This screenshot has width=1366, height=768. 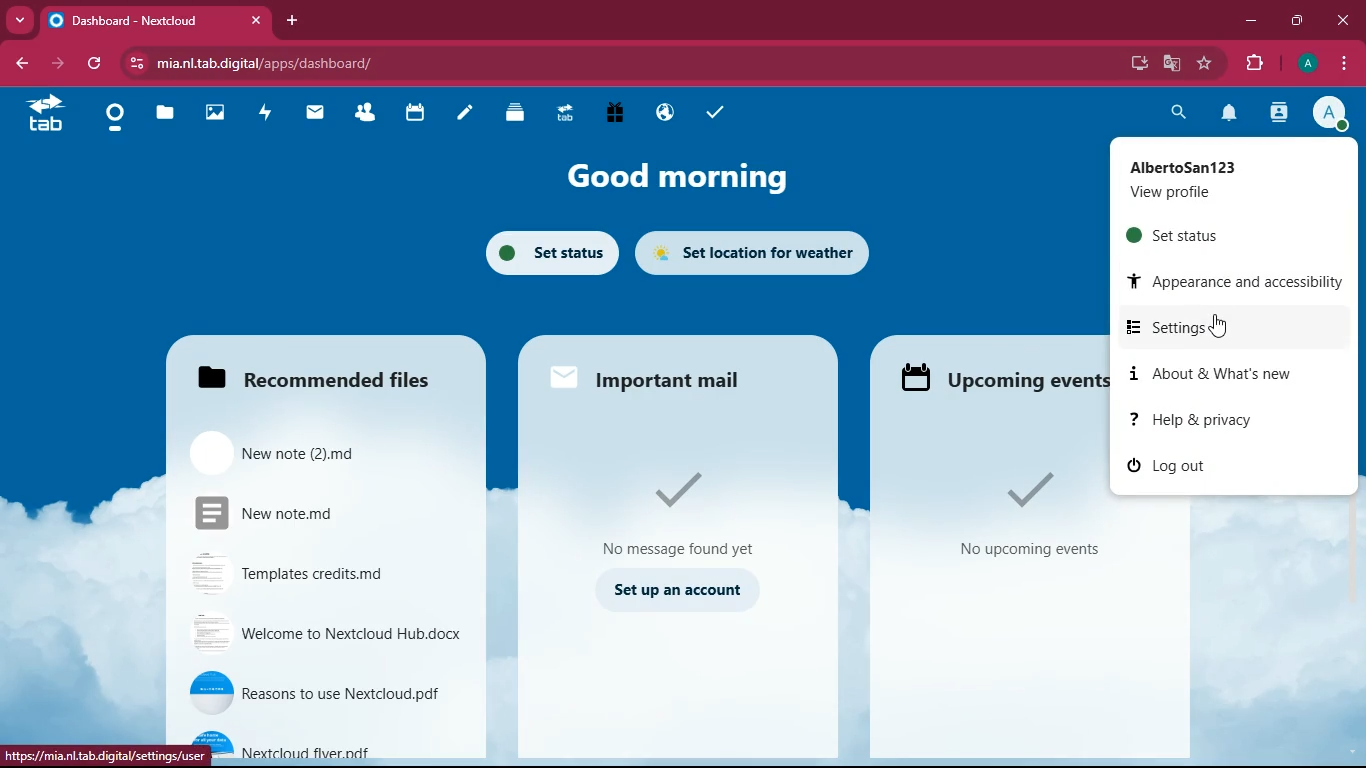 I want to click on good morning, so click(x=668, y=180).